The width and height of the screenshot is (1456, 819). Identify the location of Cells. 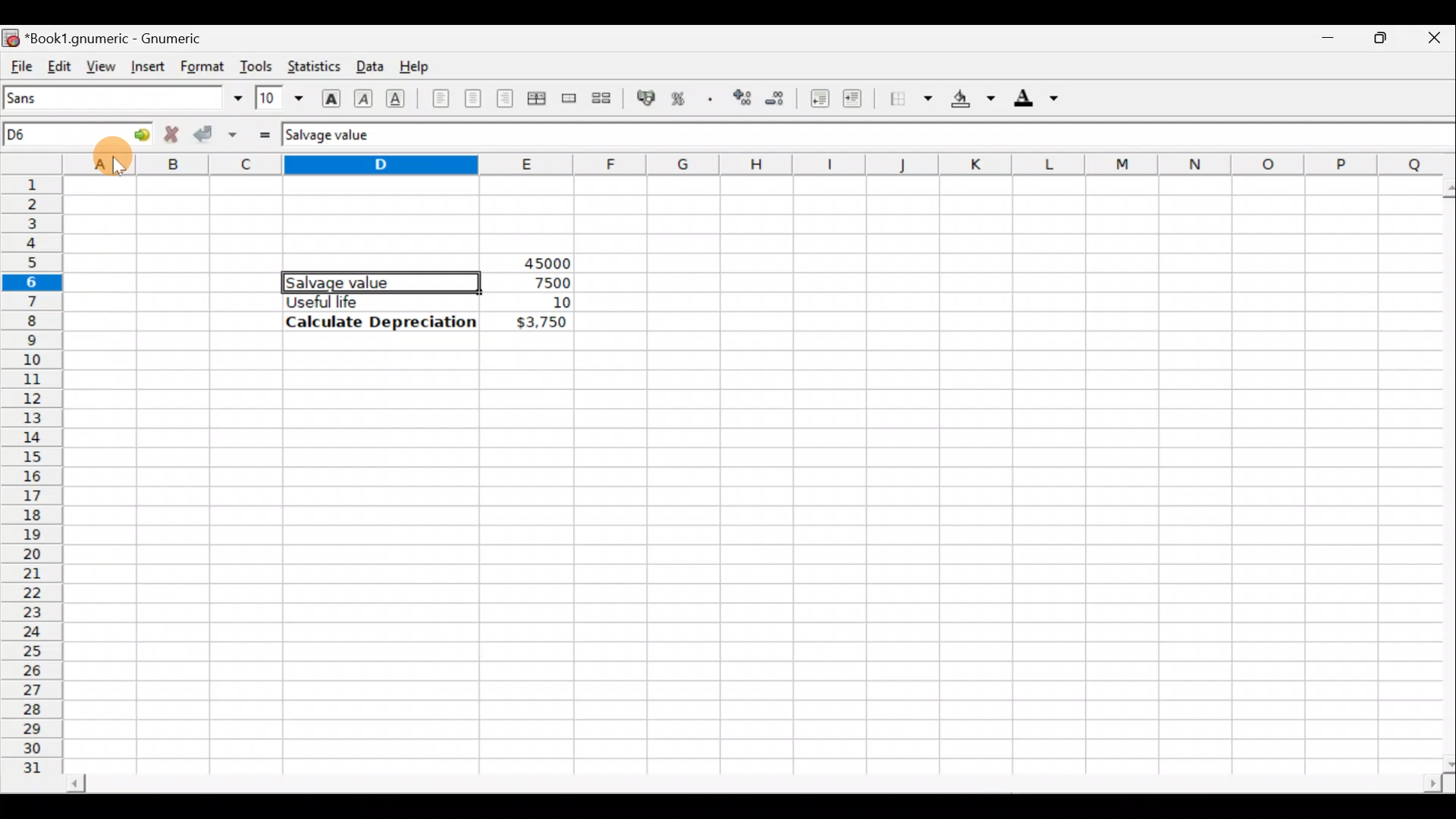
(758, 558).